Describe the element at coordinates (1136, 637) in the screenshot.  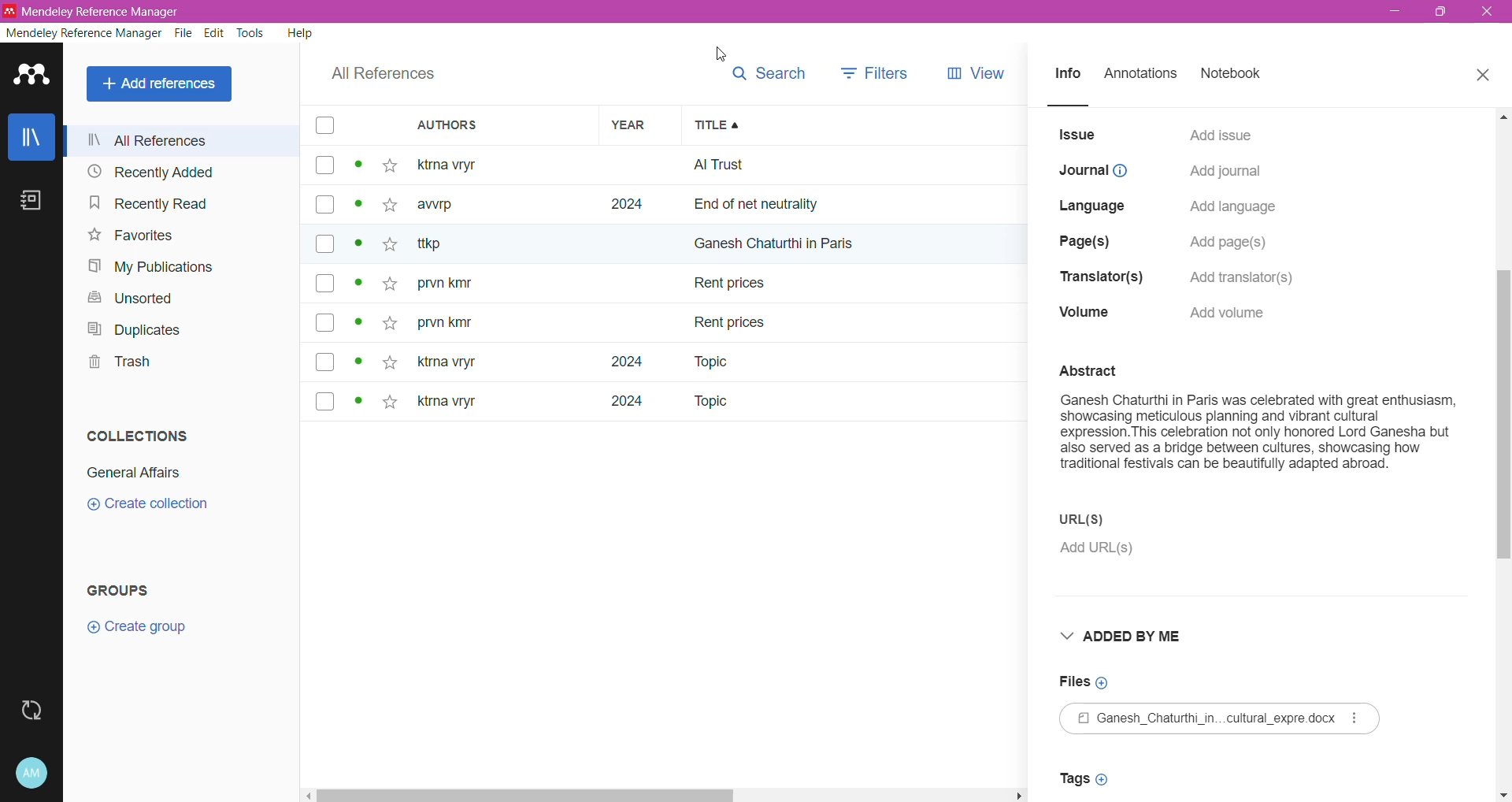
I see `Added By Me` at that location.